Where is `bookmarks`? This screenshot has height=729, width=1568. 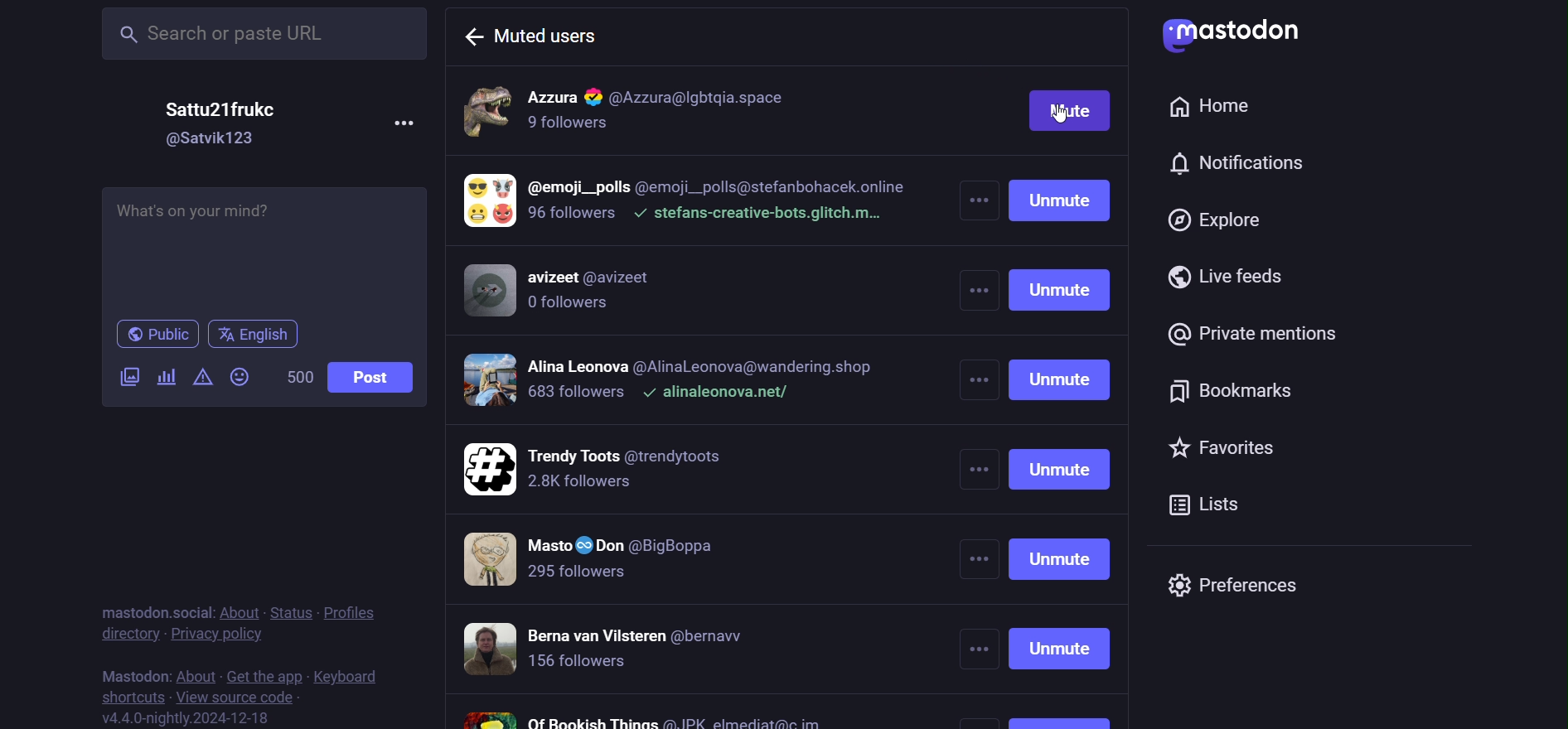 bookmarks is located at coordinates (1241, 392).